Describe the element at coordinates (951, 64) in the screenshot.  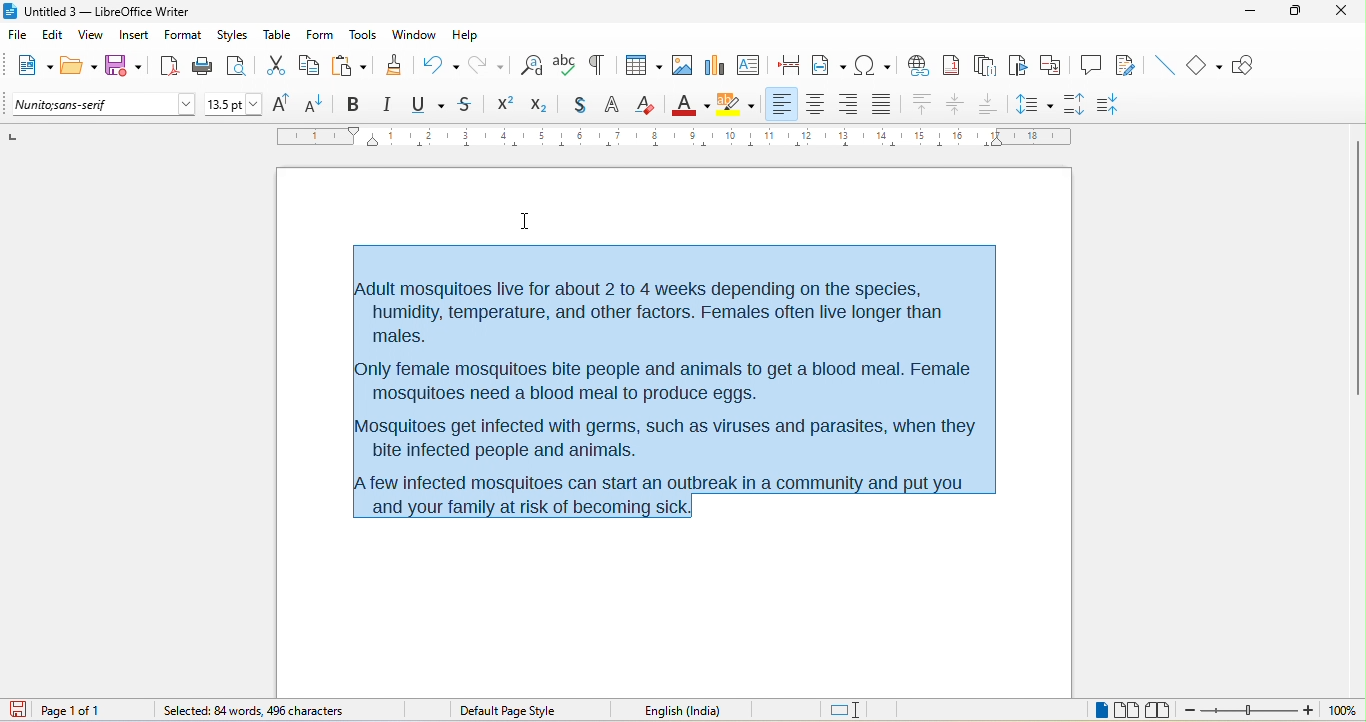
I see `footnote` at that location.